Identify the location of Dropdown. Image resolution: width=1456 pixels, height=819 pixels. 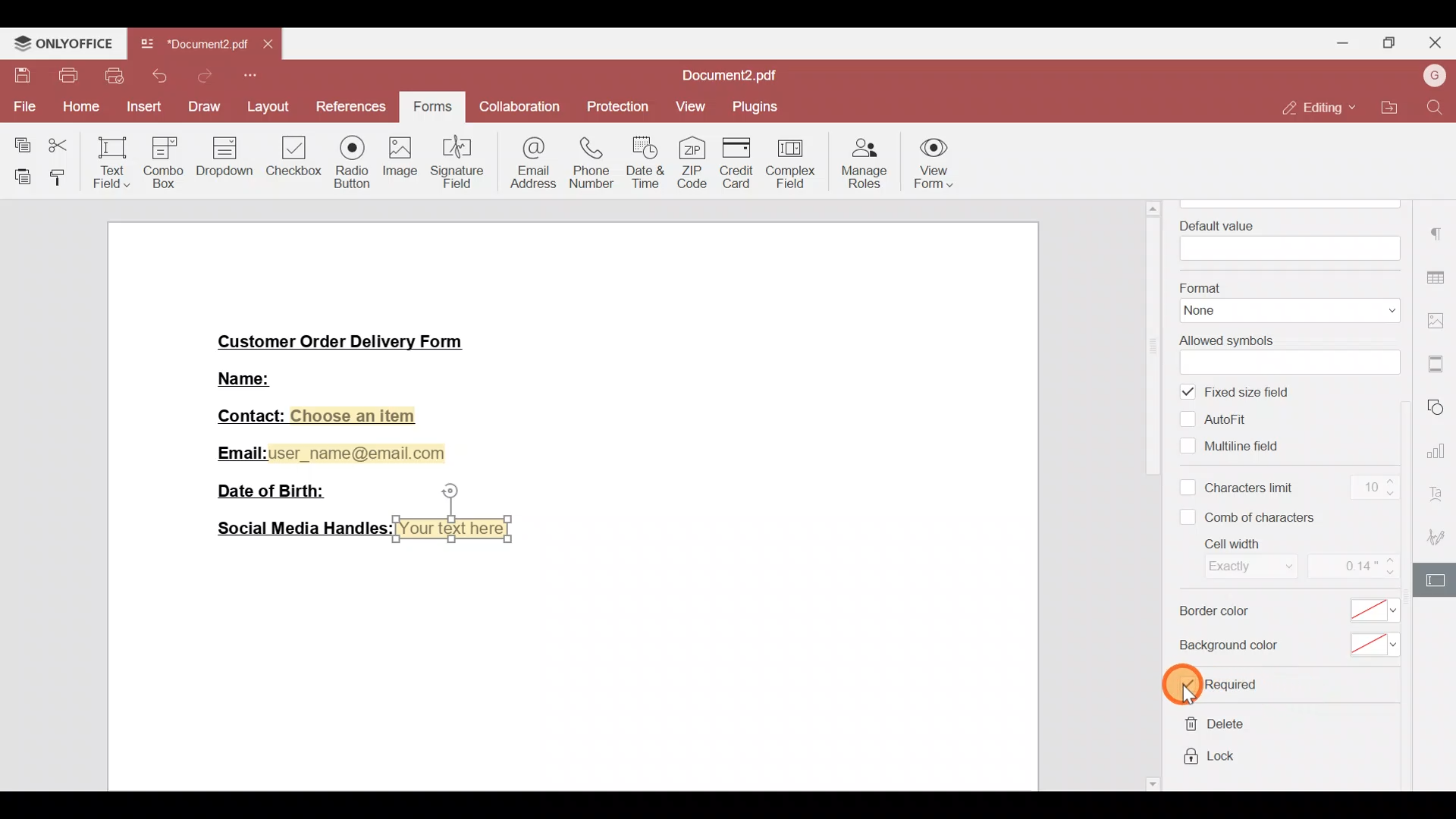
(227, 158).